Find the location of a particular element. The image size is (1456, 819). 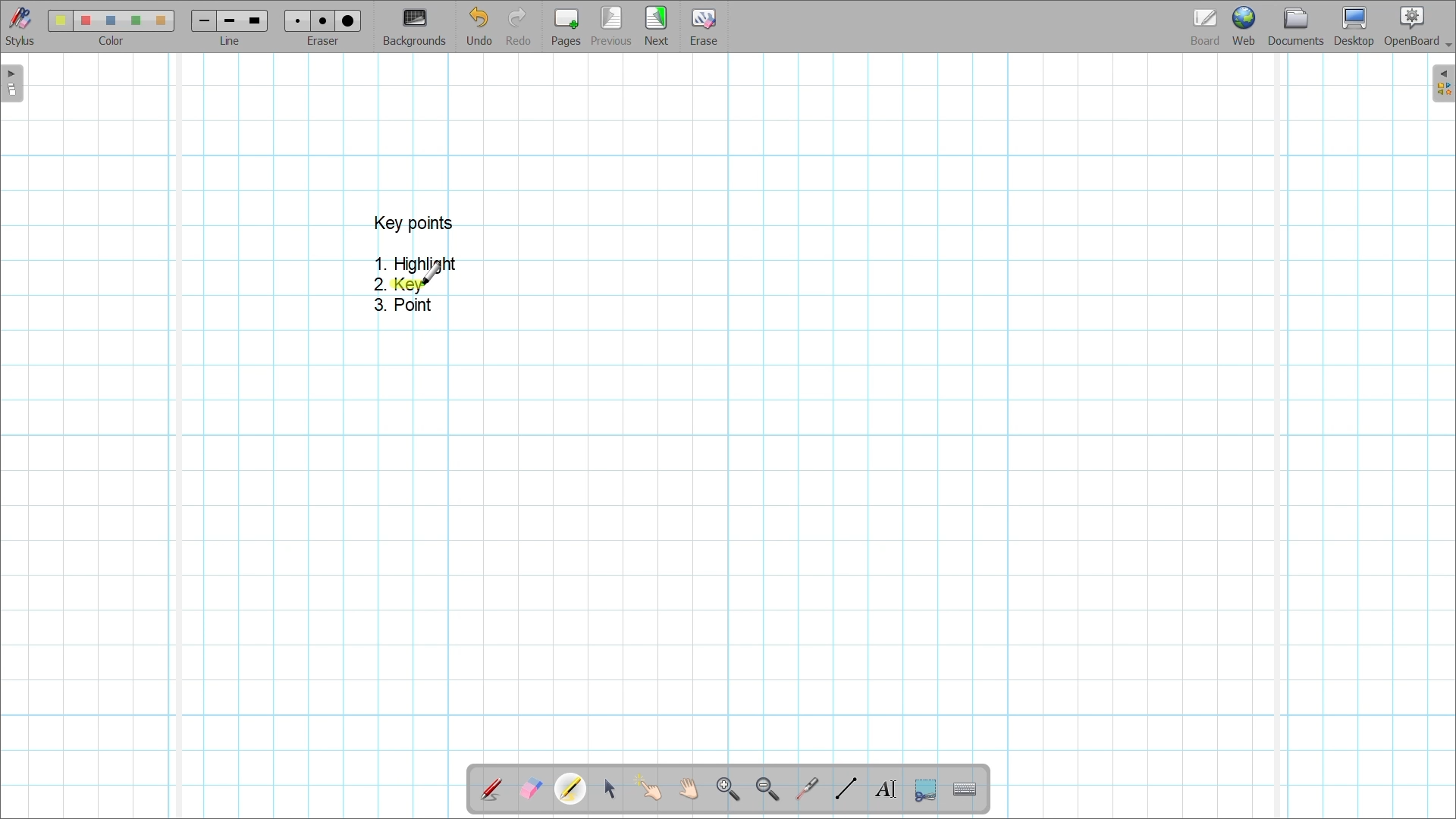

Go to previous page is located at coordinates (613, 26).